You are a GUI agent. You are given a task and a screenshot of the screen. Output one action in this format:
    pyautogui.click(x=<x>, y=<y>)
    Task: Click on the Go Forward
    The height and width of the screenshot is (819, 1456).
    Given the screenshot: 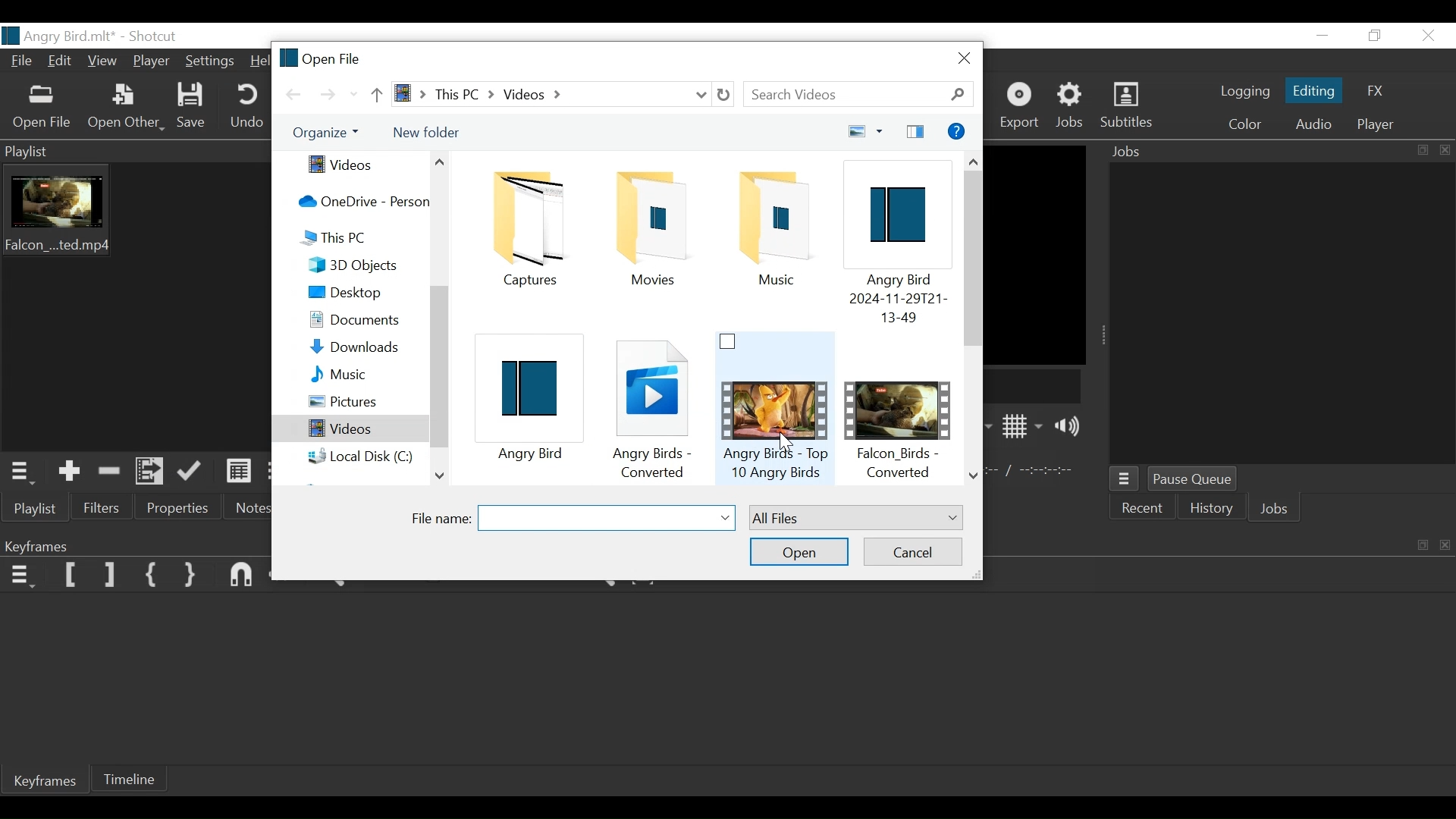 What is the action you would take?
    pyautogui.click(x=333, y=94)
    